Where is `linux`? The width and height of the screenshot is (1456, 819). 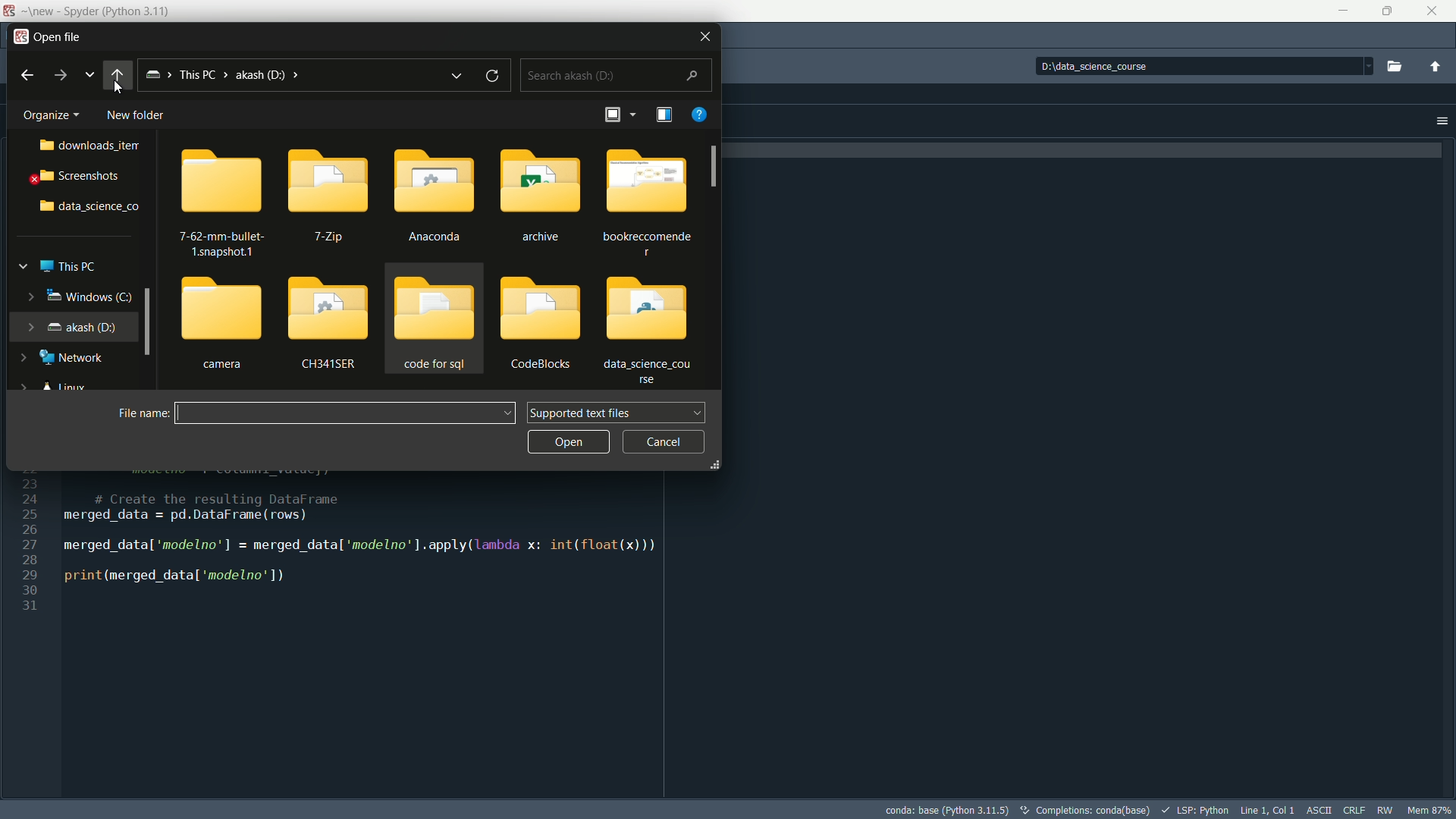 linux is located at coordinates (67, 388).